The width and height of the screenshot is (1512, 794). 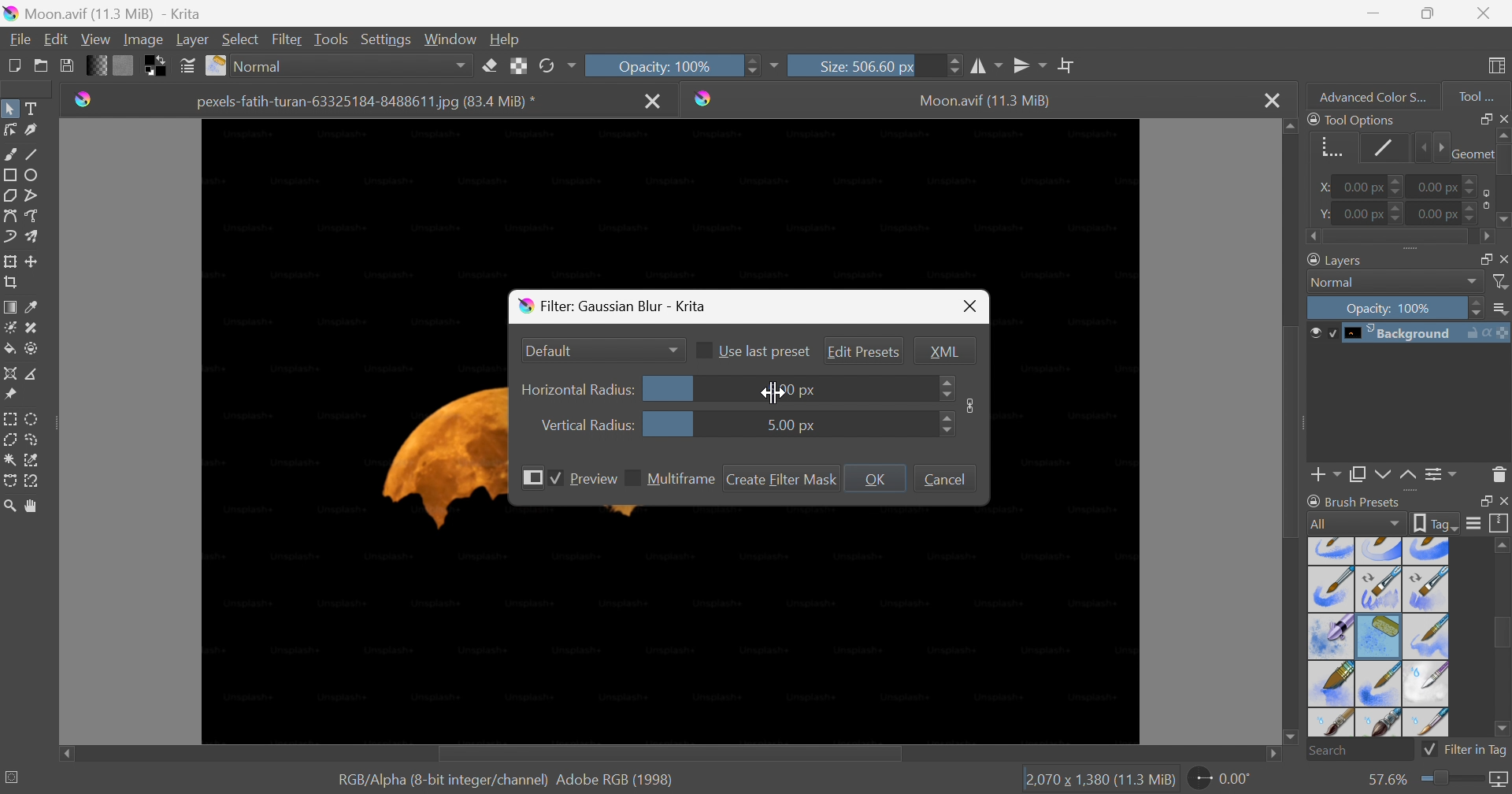 What do you see at coordinates (946, 388) in the screenshot?
I see `Slider` at bounding box center [946, 388].